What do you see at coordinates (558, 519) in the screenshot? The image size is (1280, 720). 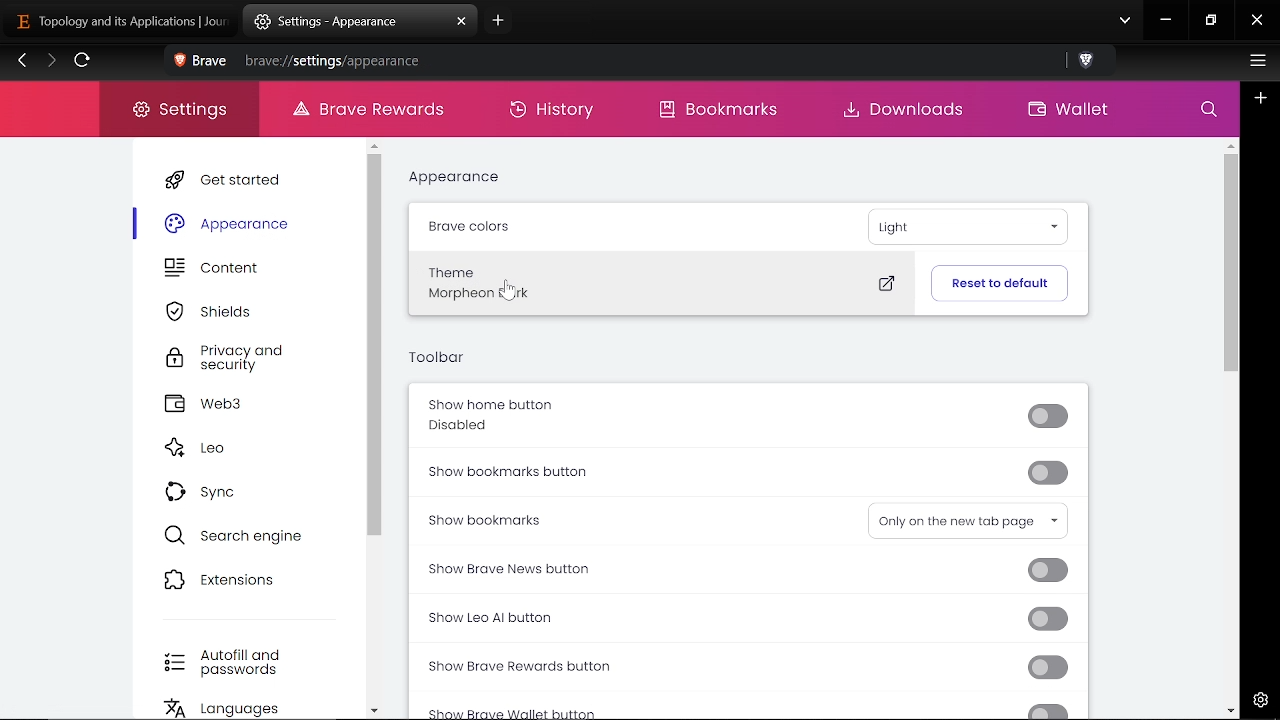 I see `Show bookmarks` at bounding box center [558, 519].